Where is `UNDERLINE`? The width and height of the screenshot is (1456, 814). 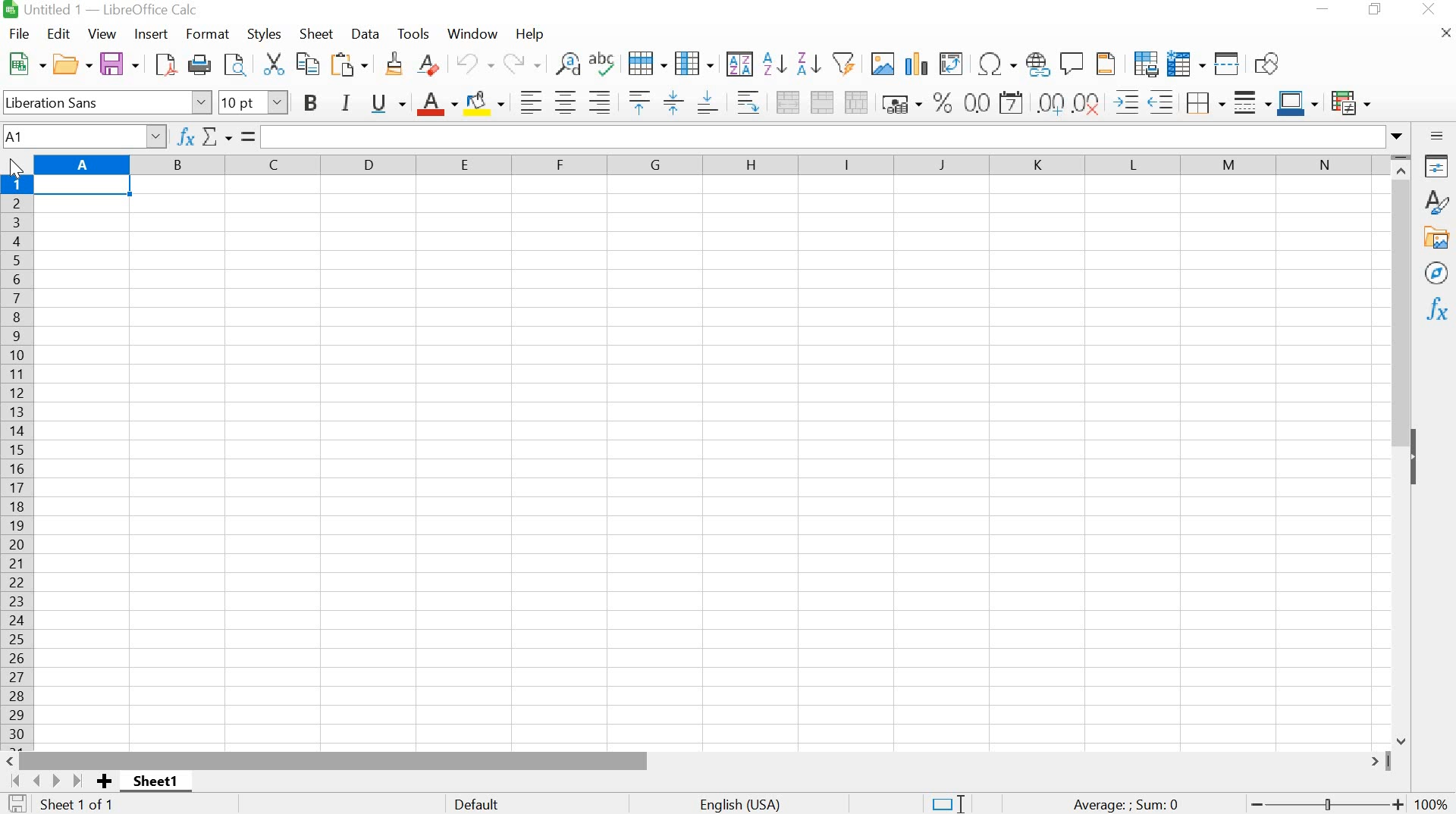
UNDERLINE is located at coordinates (388, 103).